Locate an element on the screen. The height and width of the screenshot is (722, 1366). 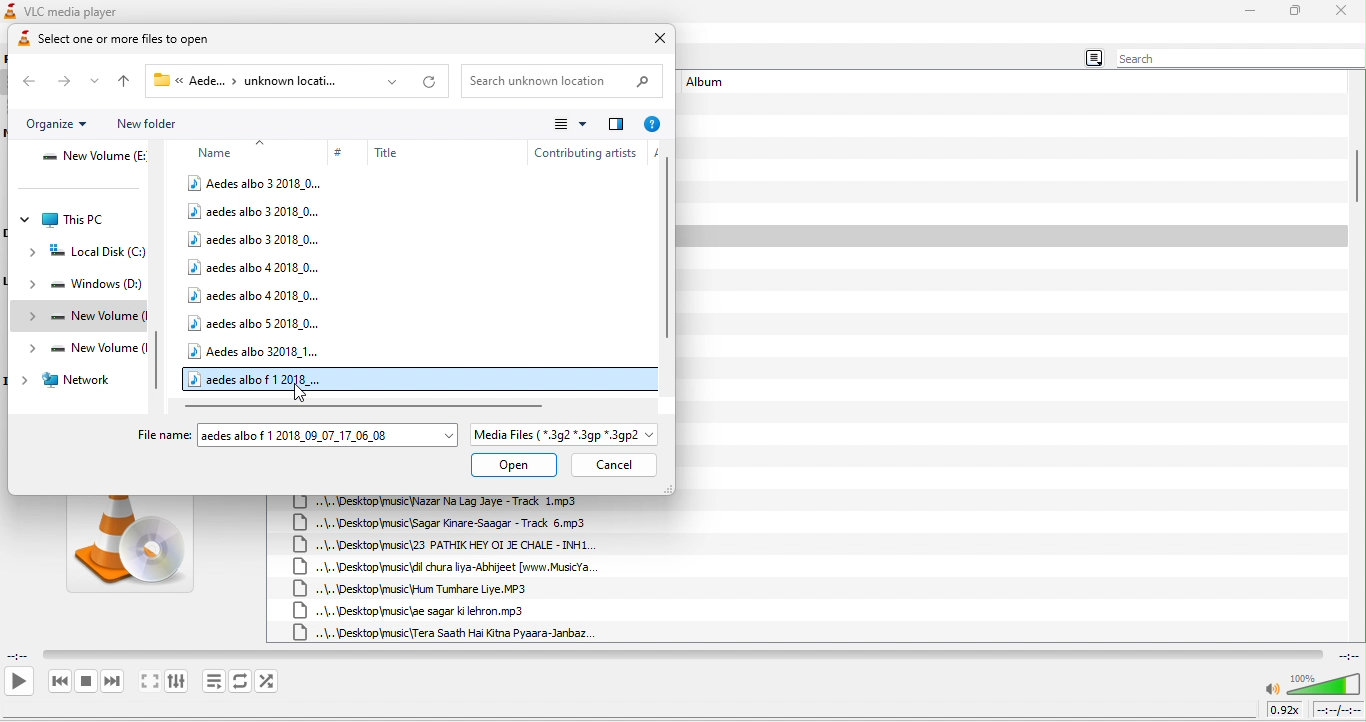
..\..\Desktop\music {Tera Saath Hai Kitna Pyaara-Janbaz. is located at coordinates (445, 632).